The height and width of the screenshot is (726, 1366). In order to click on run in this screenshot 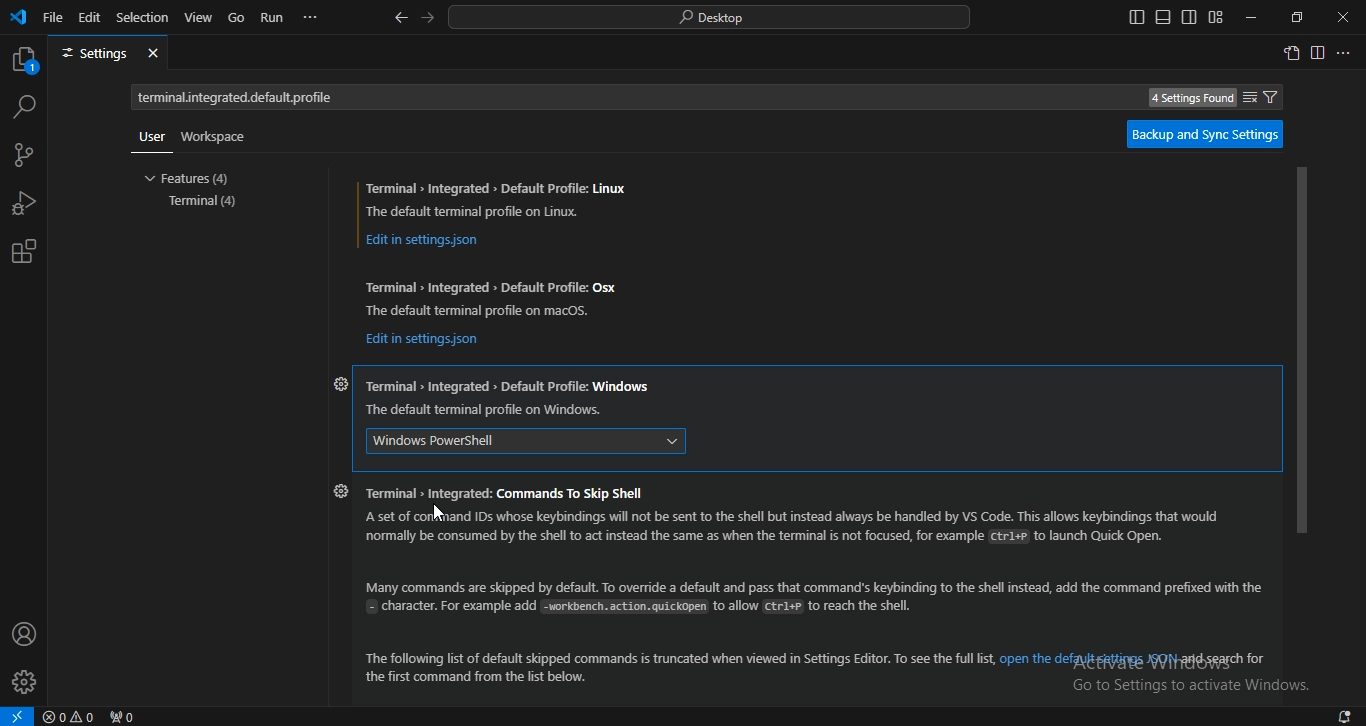, I will do `click(271, 18)`.